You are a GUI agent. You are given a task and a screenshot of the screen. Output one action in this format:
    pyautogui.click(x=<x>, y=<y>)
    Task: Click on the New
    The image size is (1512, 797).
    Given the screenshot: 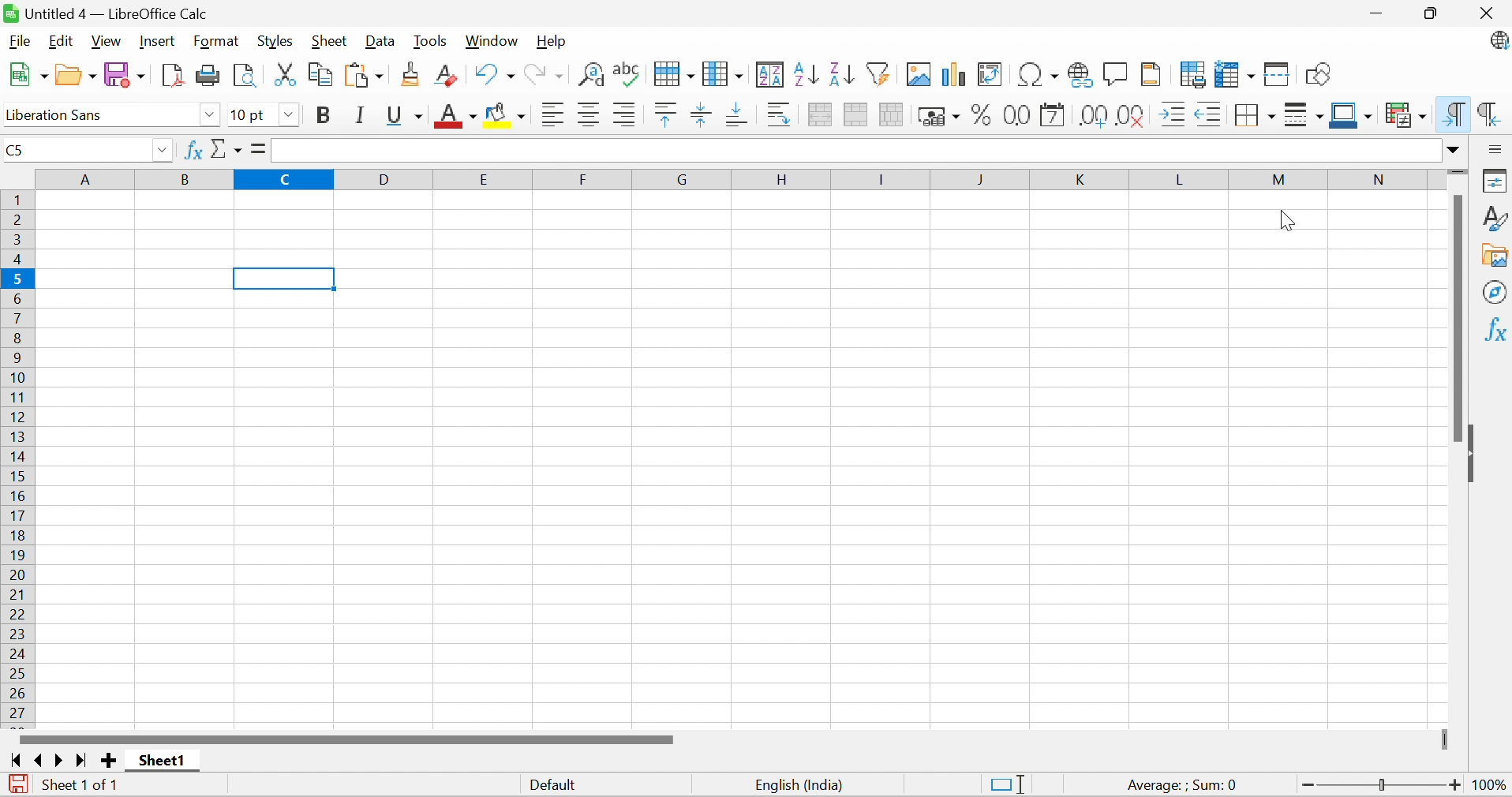 What is the action you would take?
    pyautogui.click(x=28, y=75)
    